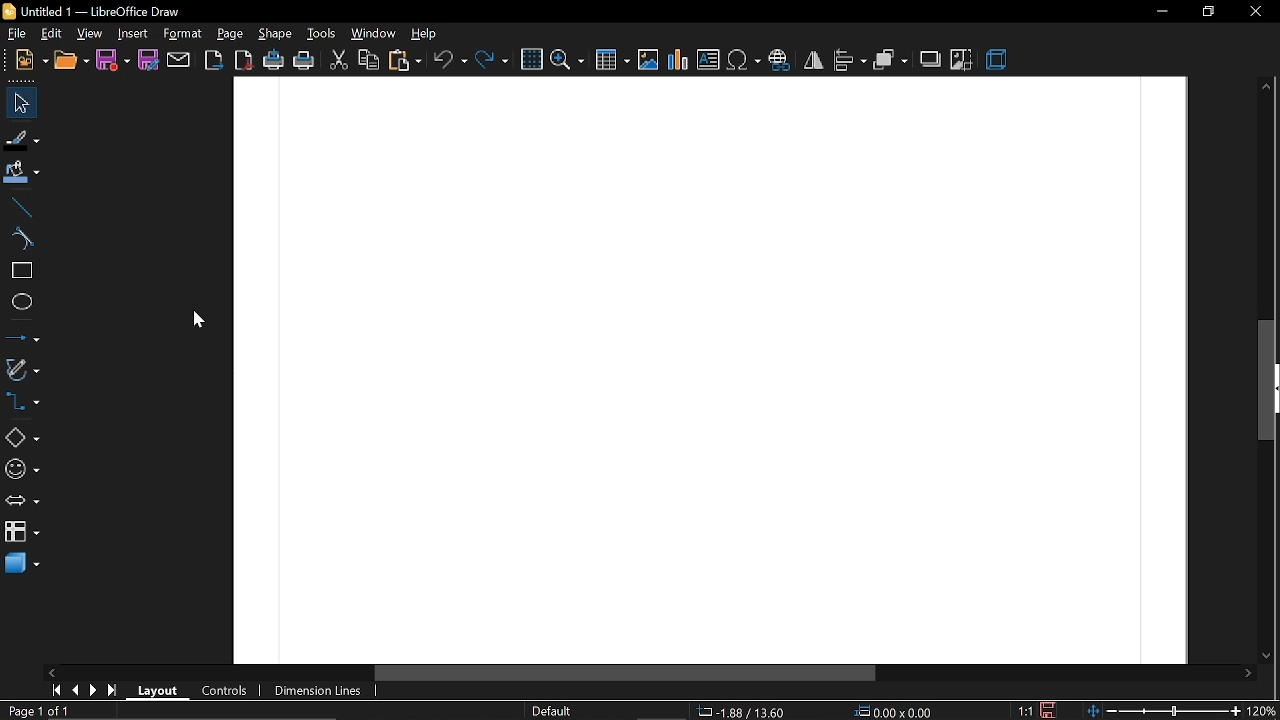 Image resolution: width=1280 pixels, height=720 pixels. I want to click on redo, so click(494, 59).